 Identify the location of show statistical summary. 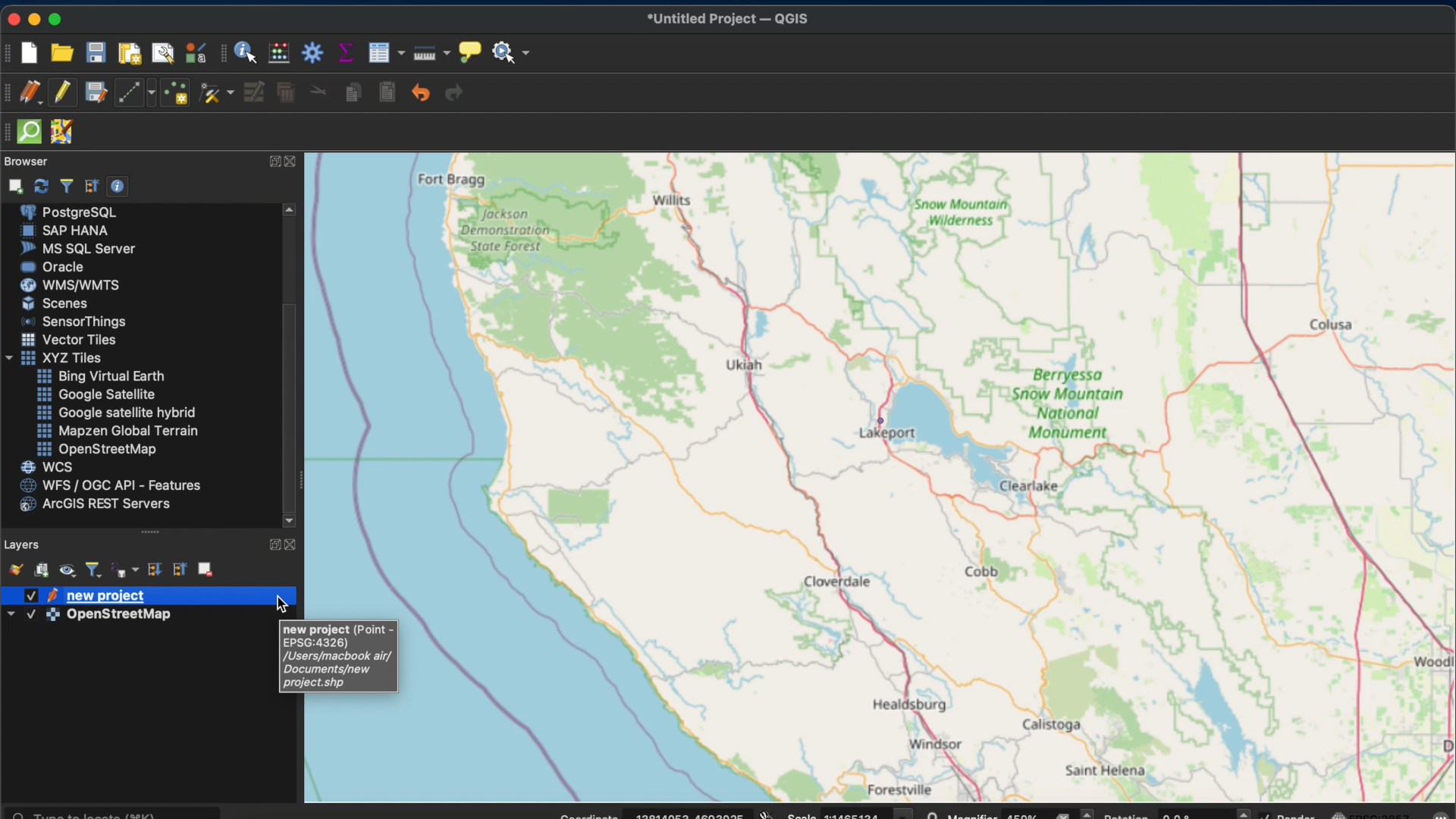
(345, 52).